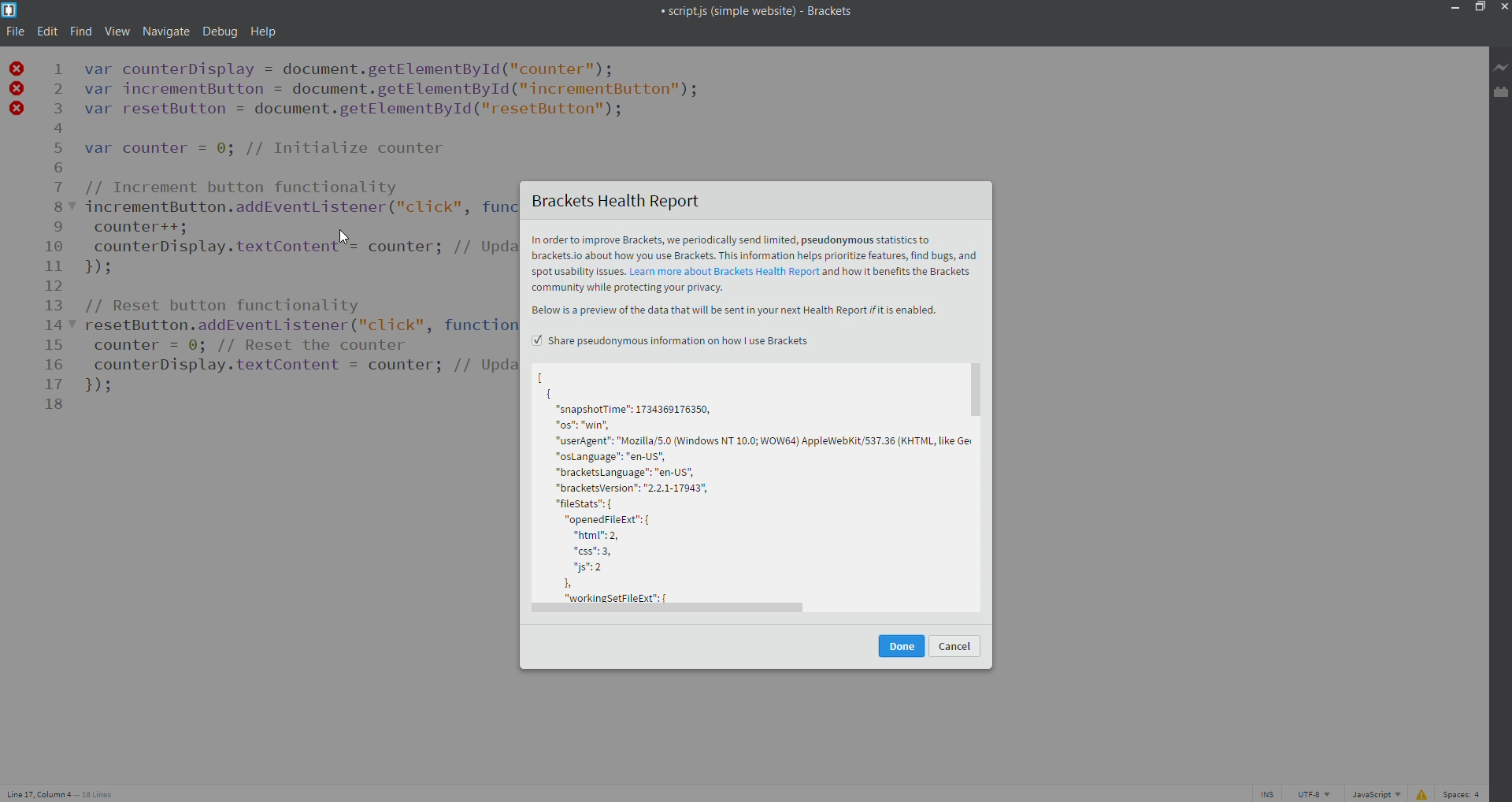 This screenshot has width=1512, height=802. Describe the element at coordinates (298, 216) in the screenshot. I see `text editor having code to display and interact with a counter on a webpage` at that location.